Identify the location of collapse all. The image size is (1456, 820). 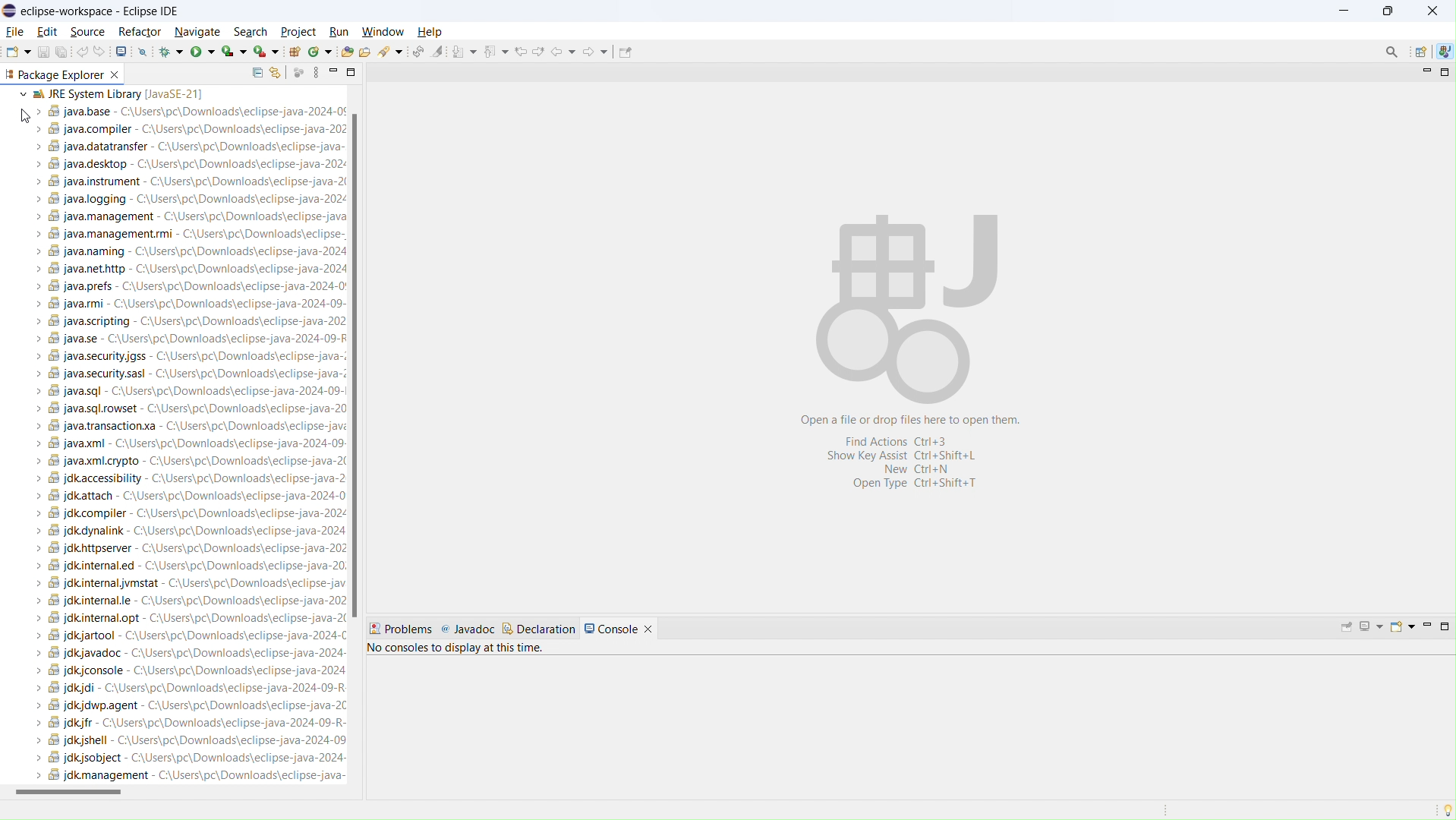
(257, 73).